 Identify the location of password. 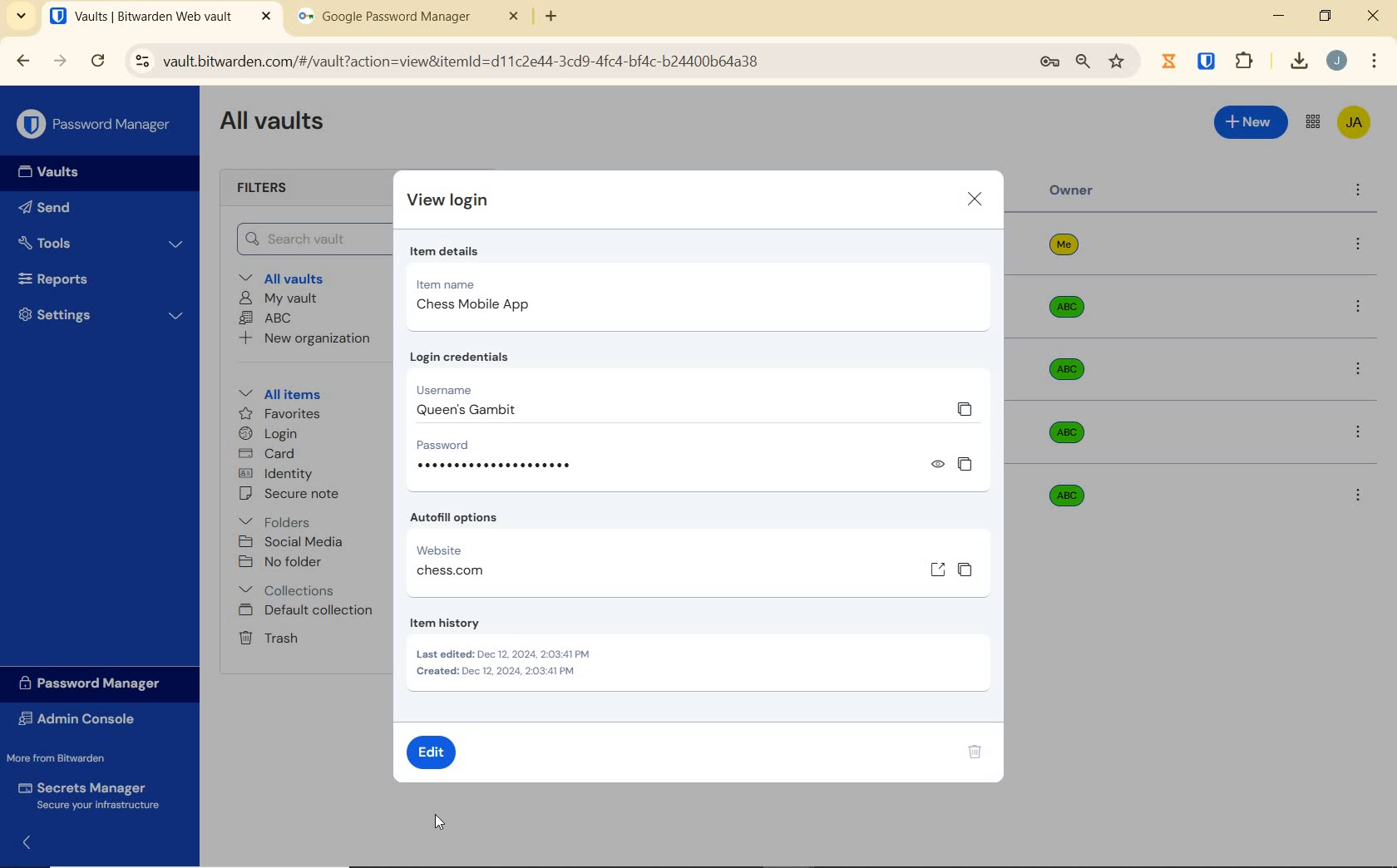
(461, 443).